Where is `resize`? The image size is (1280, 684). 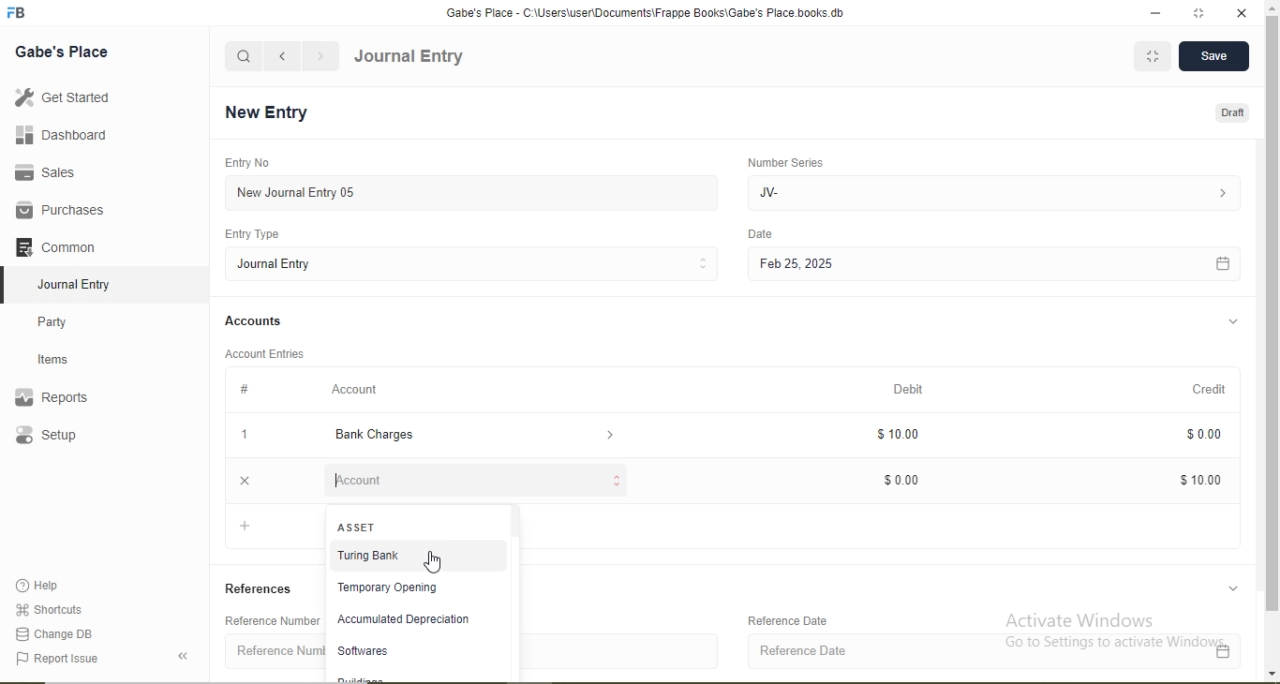 resize is located at coordinates (1199, 13).